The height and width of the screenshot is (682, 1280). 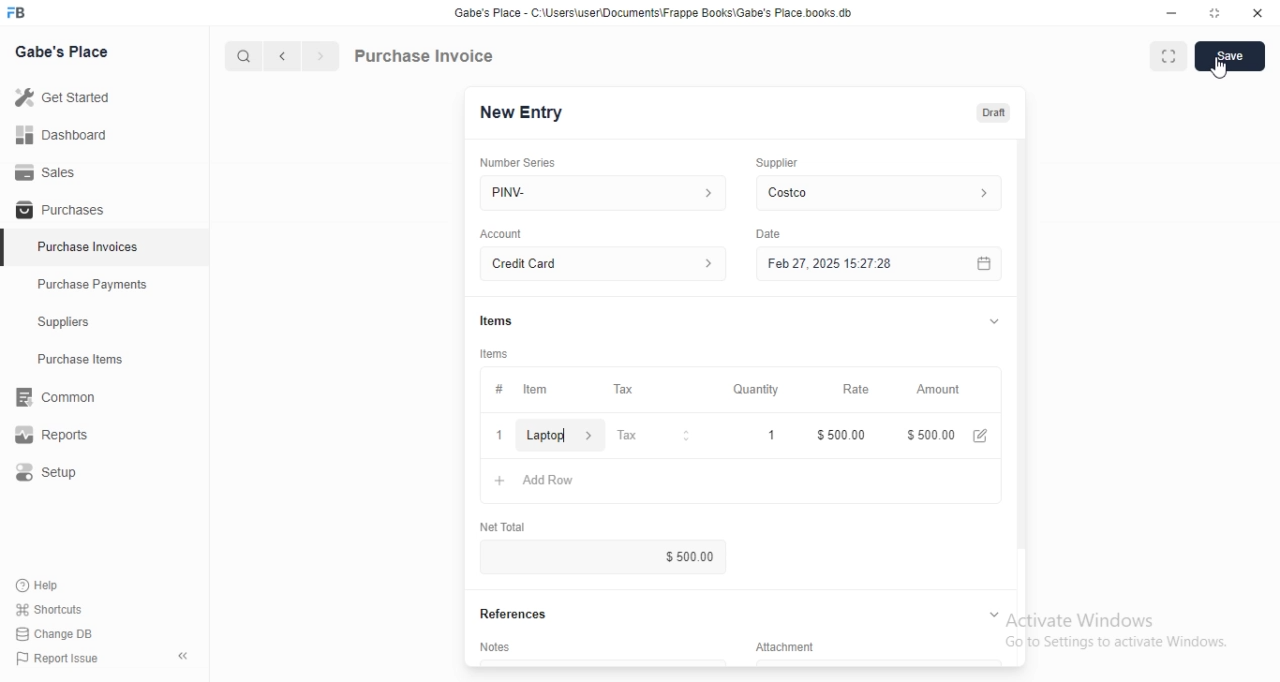 What do you see at coordinates (501, 234) in the screenshot?
I see `Account` at bounding box center [501, 234].